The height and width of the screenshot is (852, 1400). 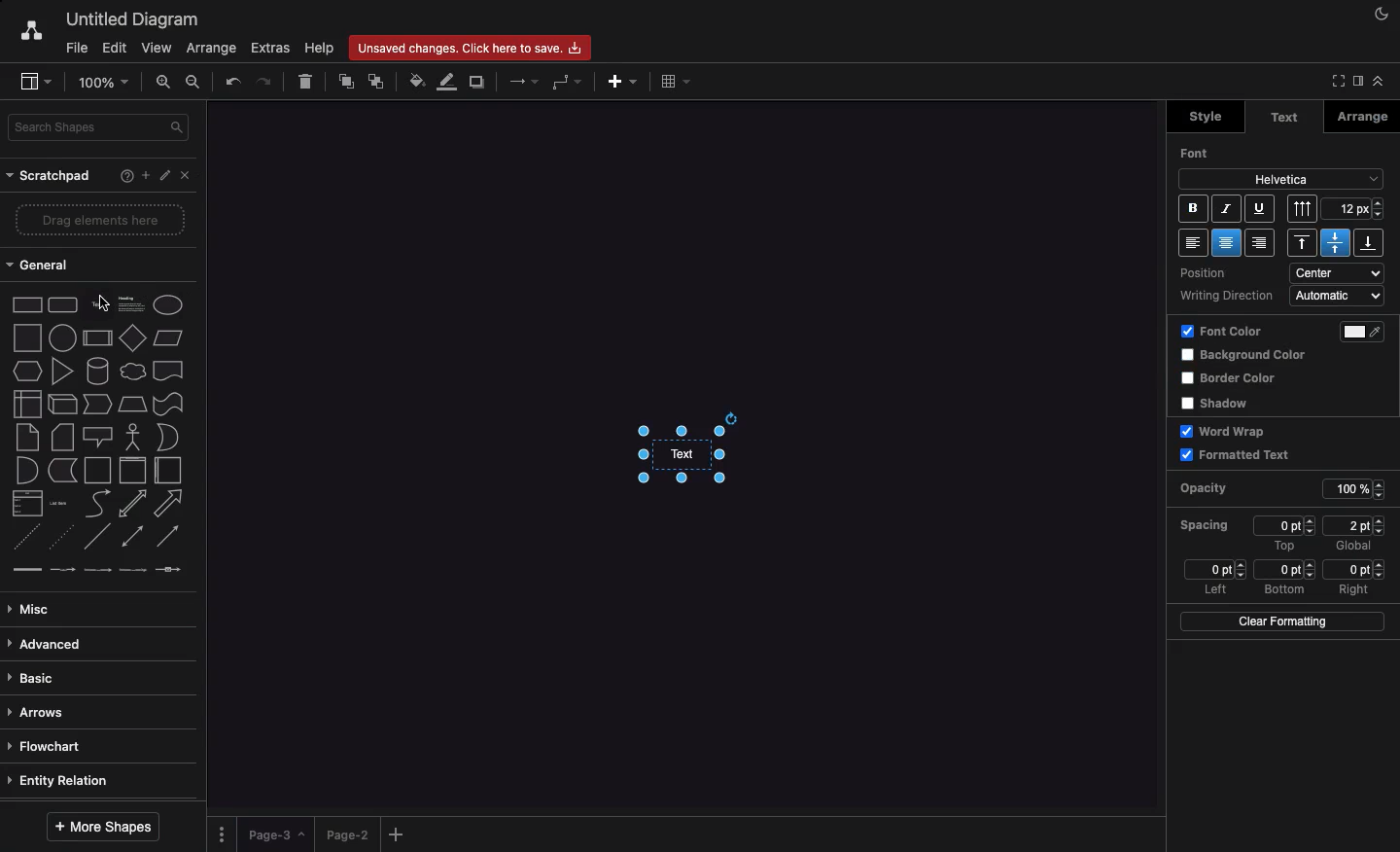 I want to click on Center , so click(x=1335, y=242).